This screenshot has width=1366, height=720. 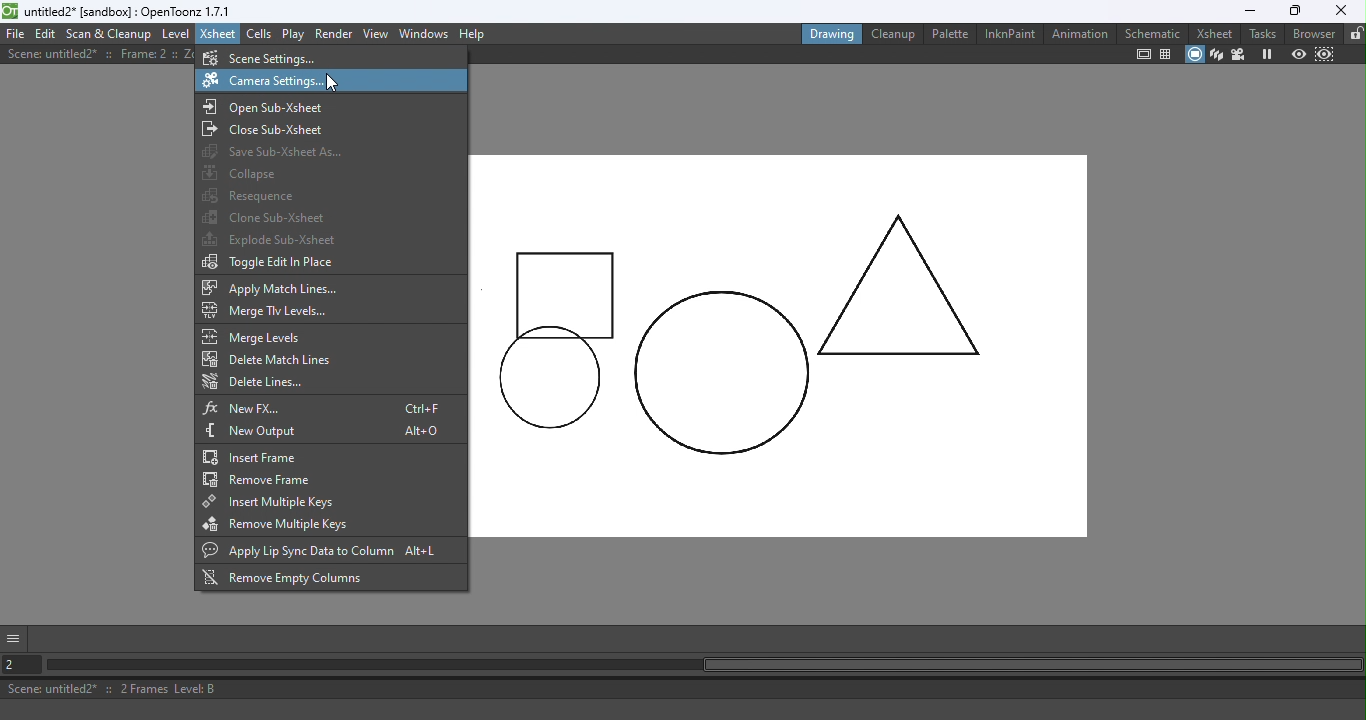 What do you see at coordinates (275, 153) in the screenshot?
I see `Save sub-Xsheet As` at bounding box center [275, 153].